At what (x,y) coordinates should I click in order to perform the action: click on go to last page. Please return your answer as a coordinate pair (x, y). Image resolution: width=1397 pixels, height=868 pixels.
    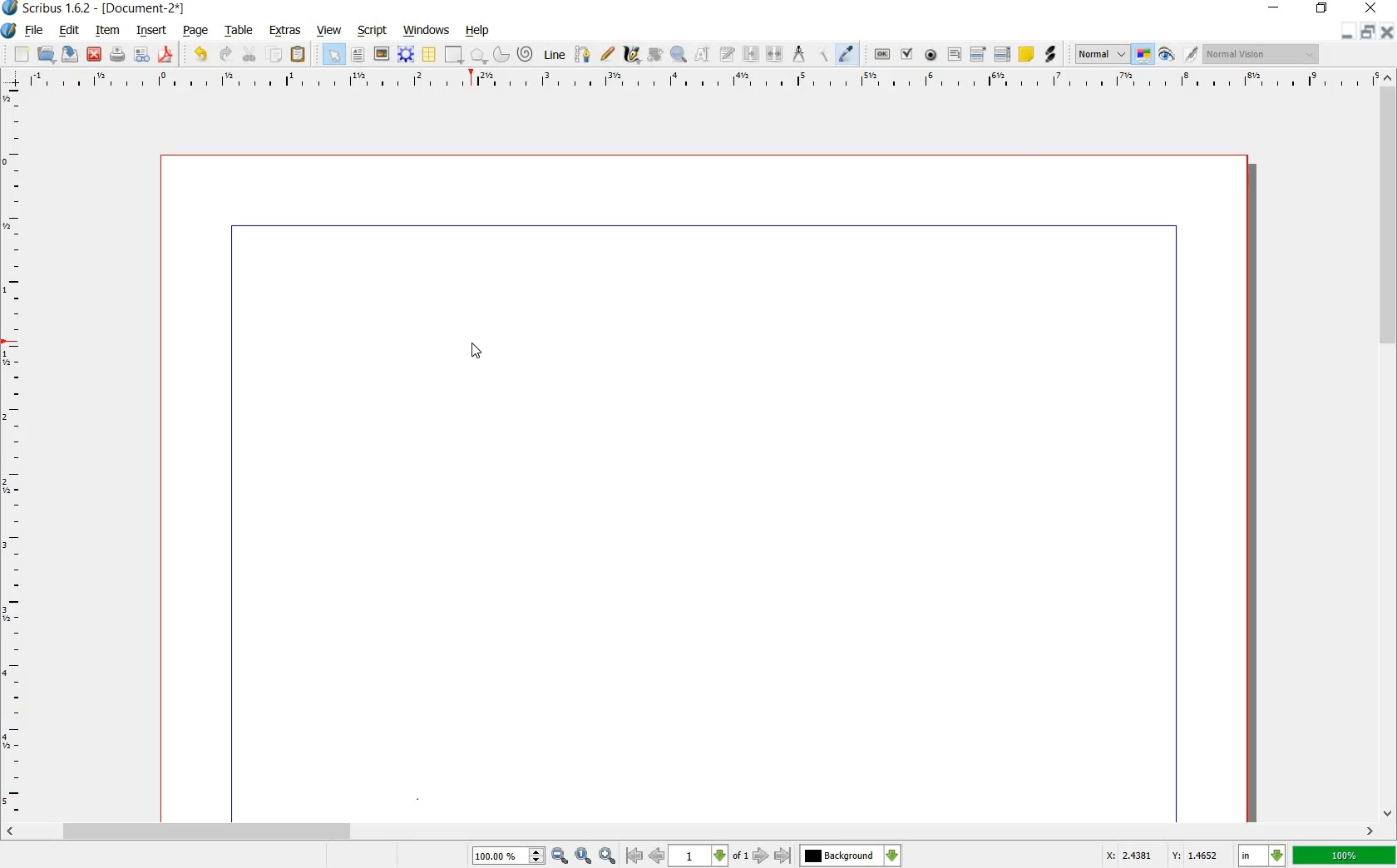
    Looking at the image, I should click on (782, 856).